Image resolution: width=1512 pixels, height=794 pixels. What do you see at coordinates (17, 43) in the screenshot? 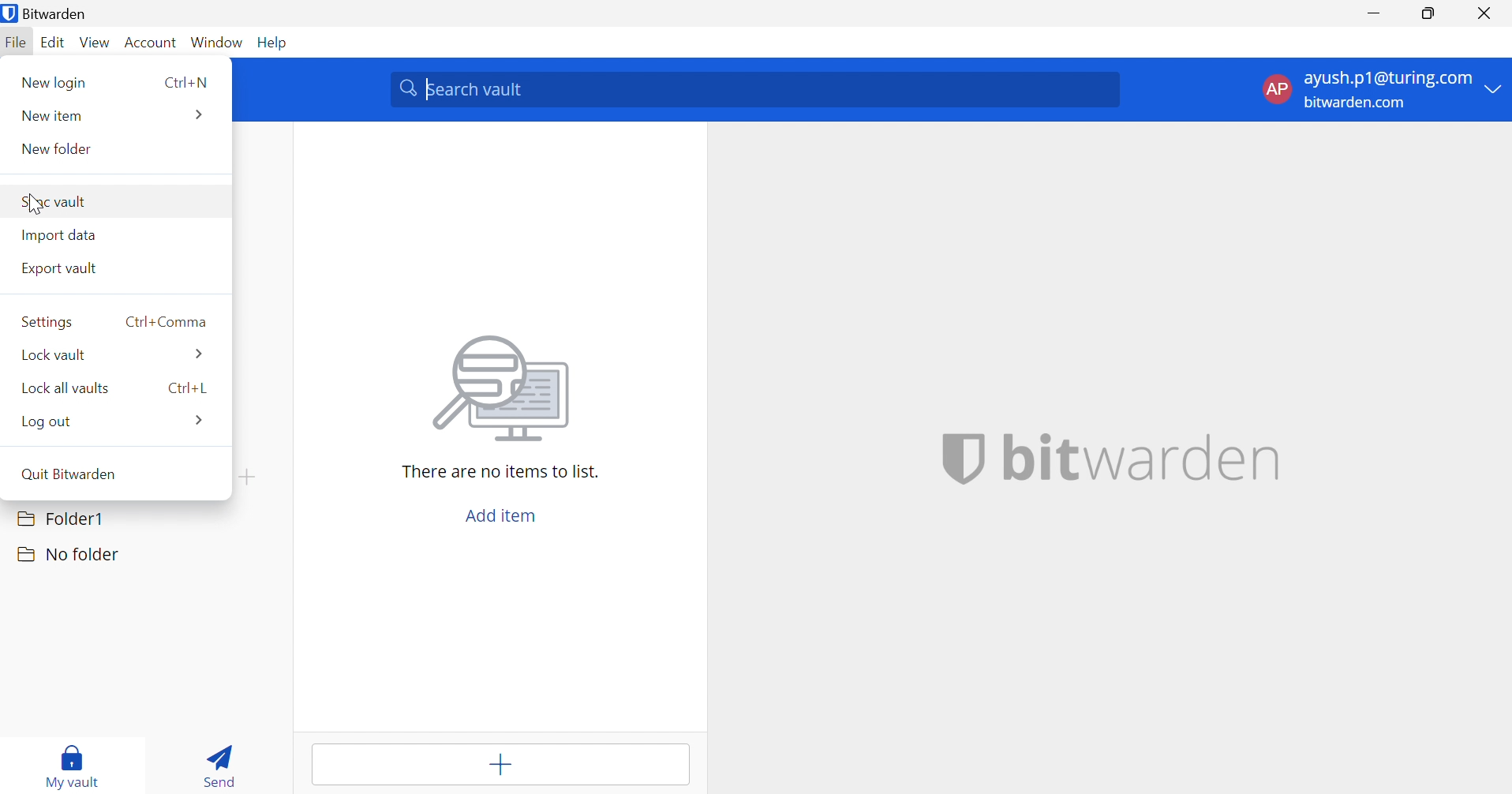
I see `File` at bounding box center [17, 43].